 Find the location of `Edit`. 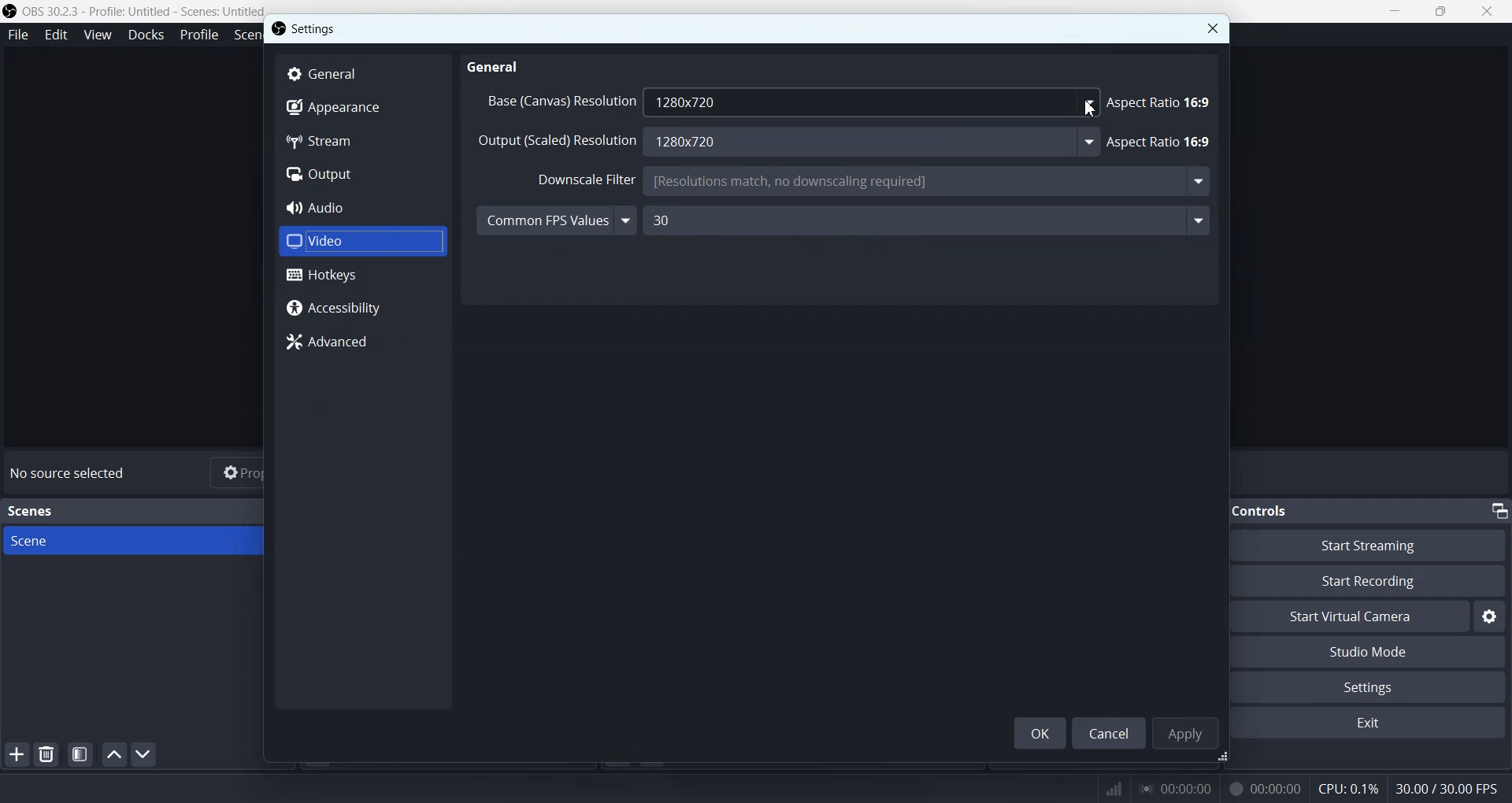

Edit is located at coordinates (56, 35).